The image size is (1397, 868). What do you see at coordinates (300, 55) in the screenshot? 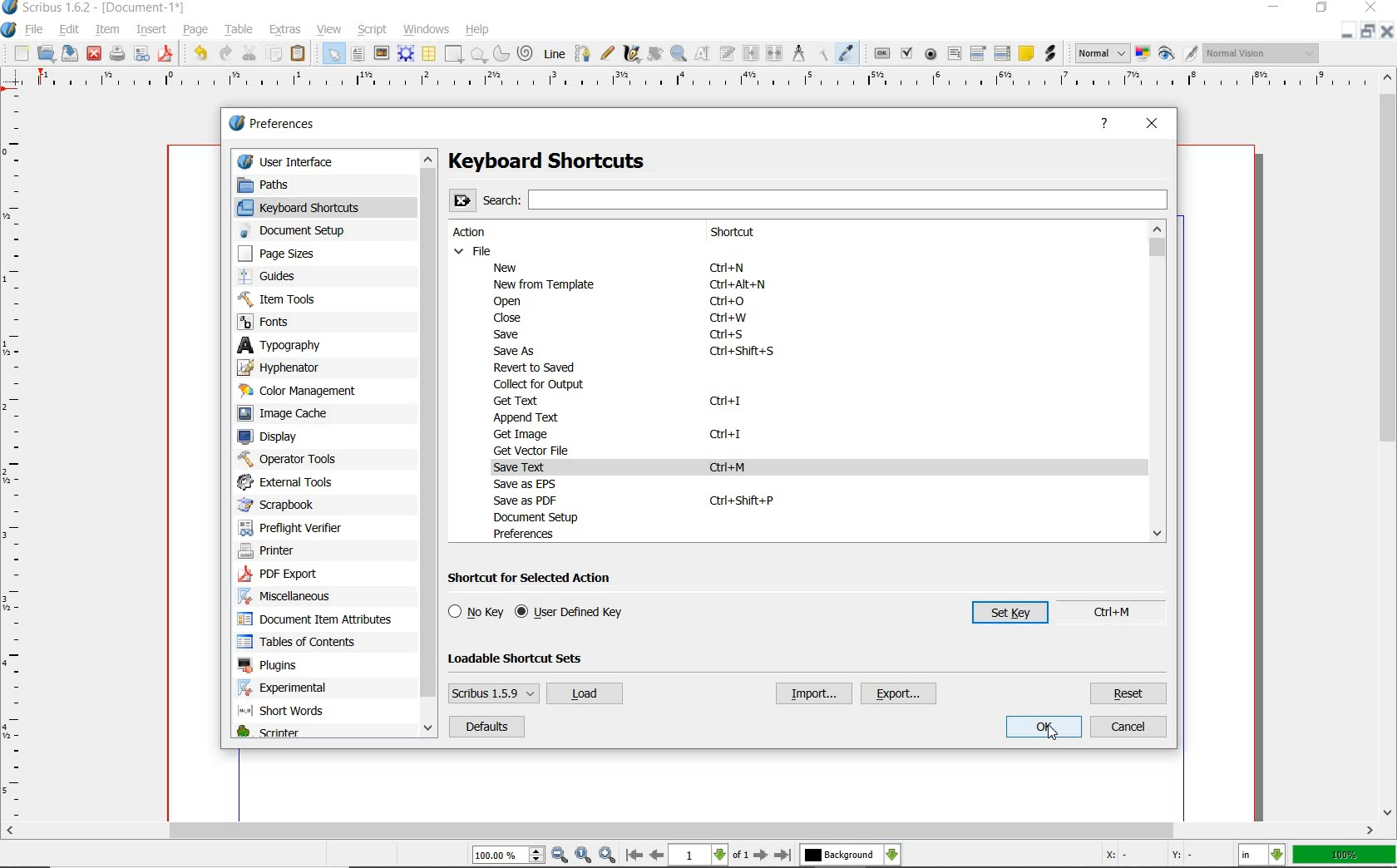
I see `paste` at bounding box center [300, 55].